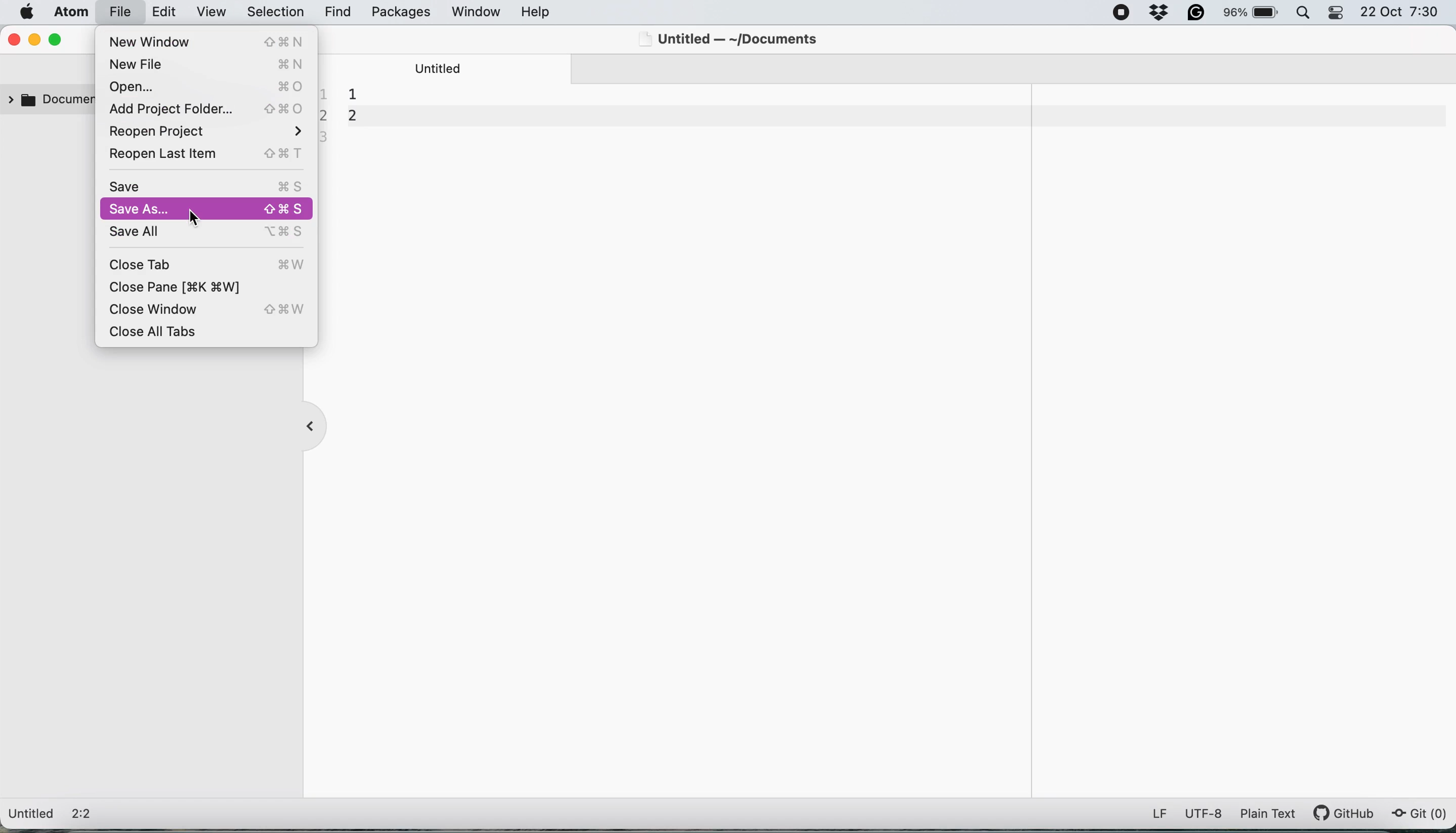 This screenshot has width=1456, height=833. I want to click on LF, so click(1160, 814).